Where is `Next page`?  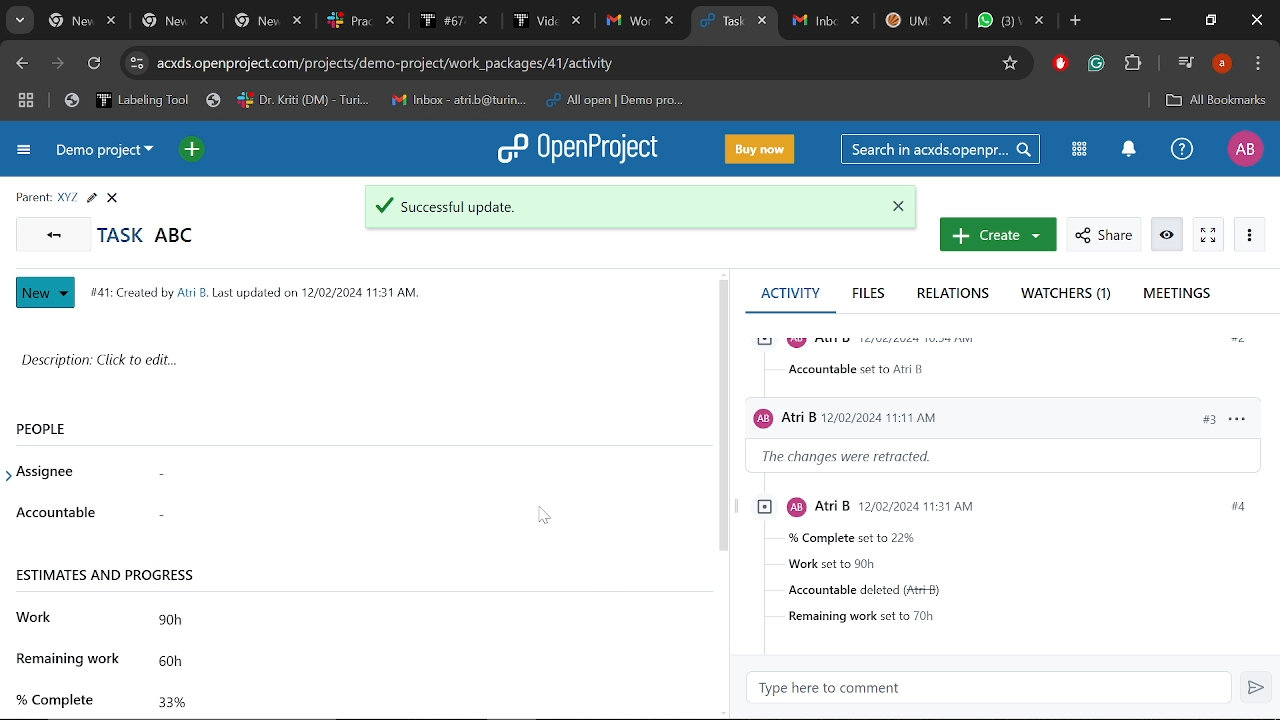
Next page is located at coordinates (61, 65).